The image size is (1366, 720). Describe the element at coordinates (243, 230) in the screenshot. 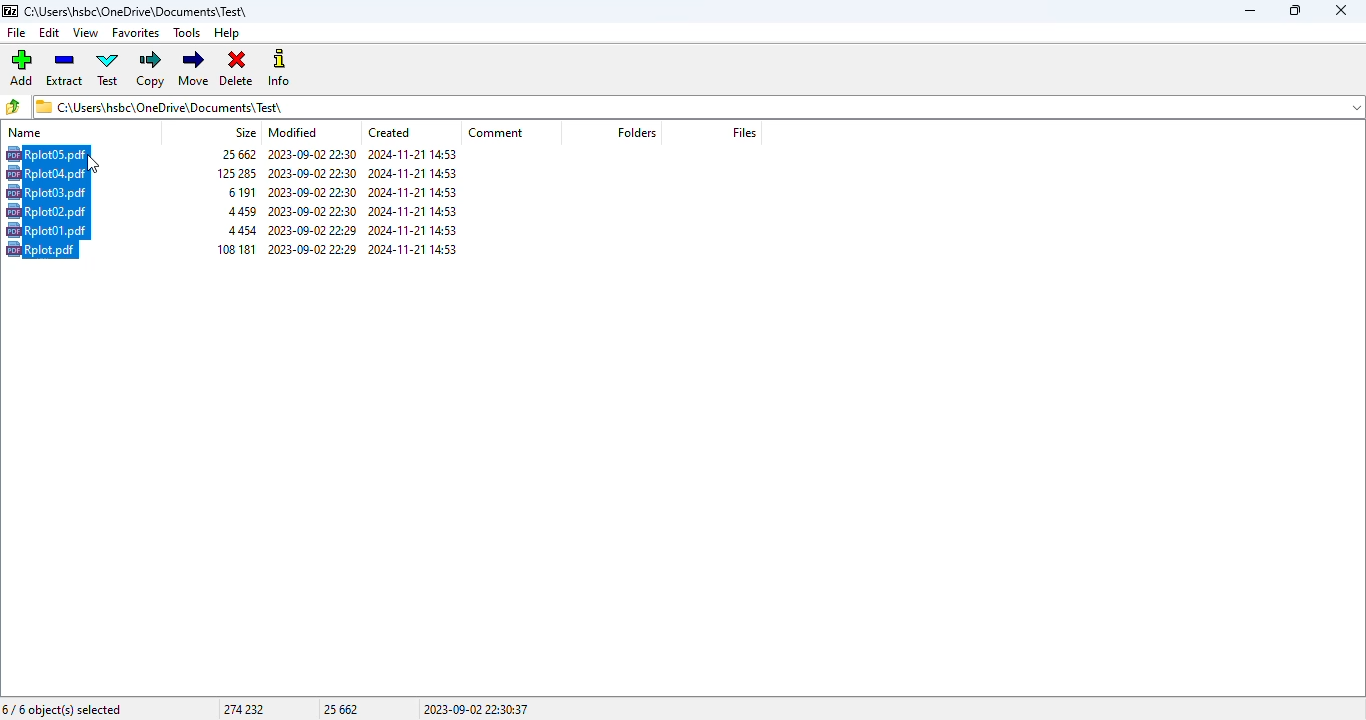

I see `size` at that location.